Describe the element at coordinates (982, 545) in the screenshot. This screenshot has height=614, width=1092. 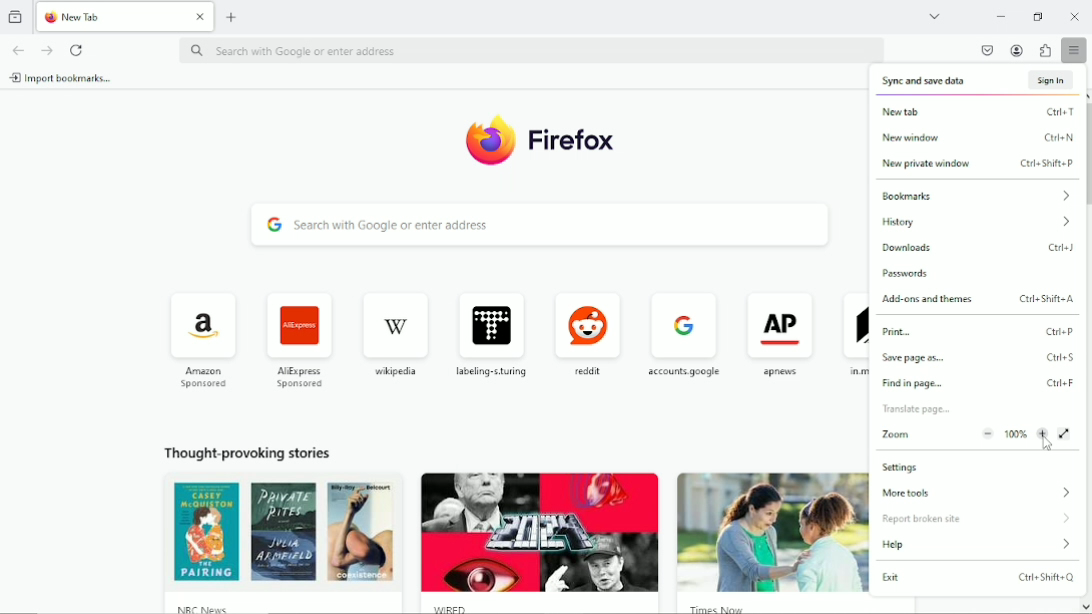
I see `Help` at that location.